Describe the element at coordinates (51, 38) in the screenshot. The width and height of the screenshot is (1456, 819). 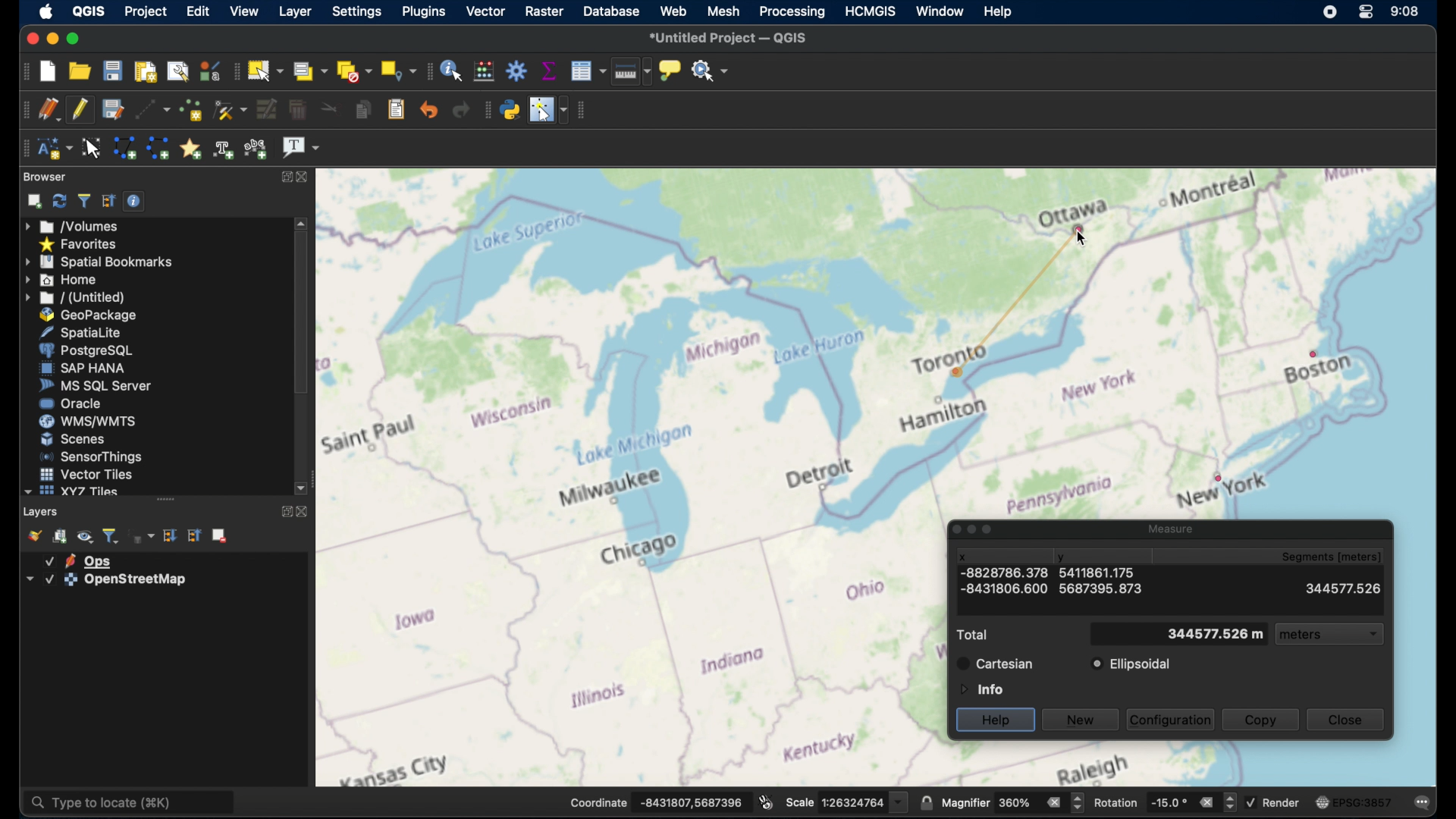
I see `minimize` at that location.